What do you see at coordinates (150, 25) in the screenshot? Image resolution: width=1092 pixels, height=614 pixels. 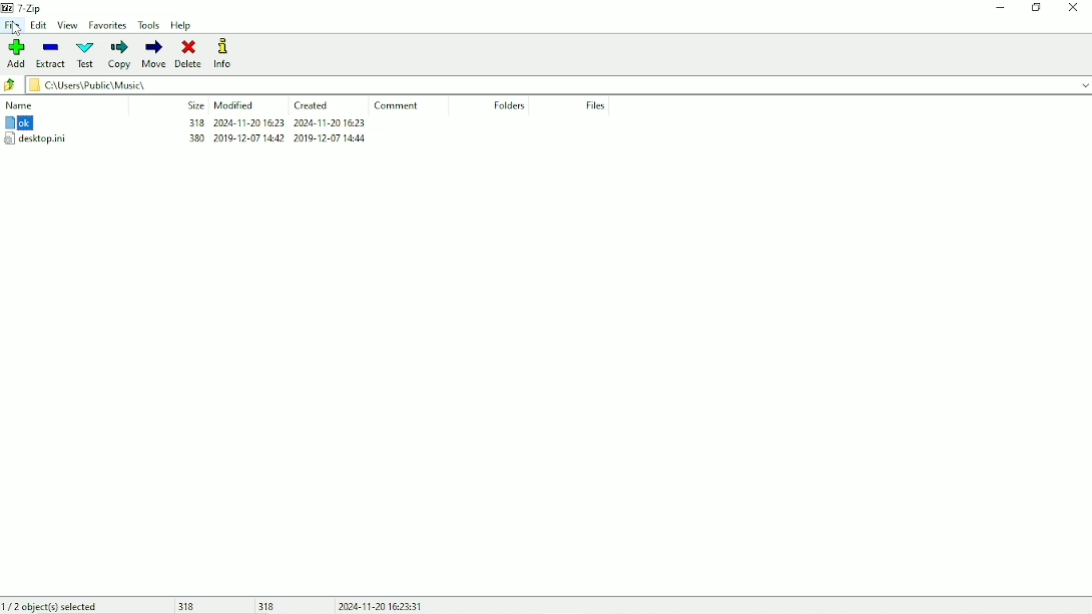 I see `Tools` at bounding box center [150, 25].